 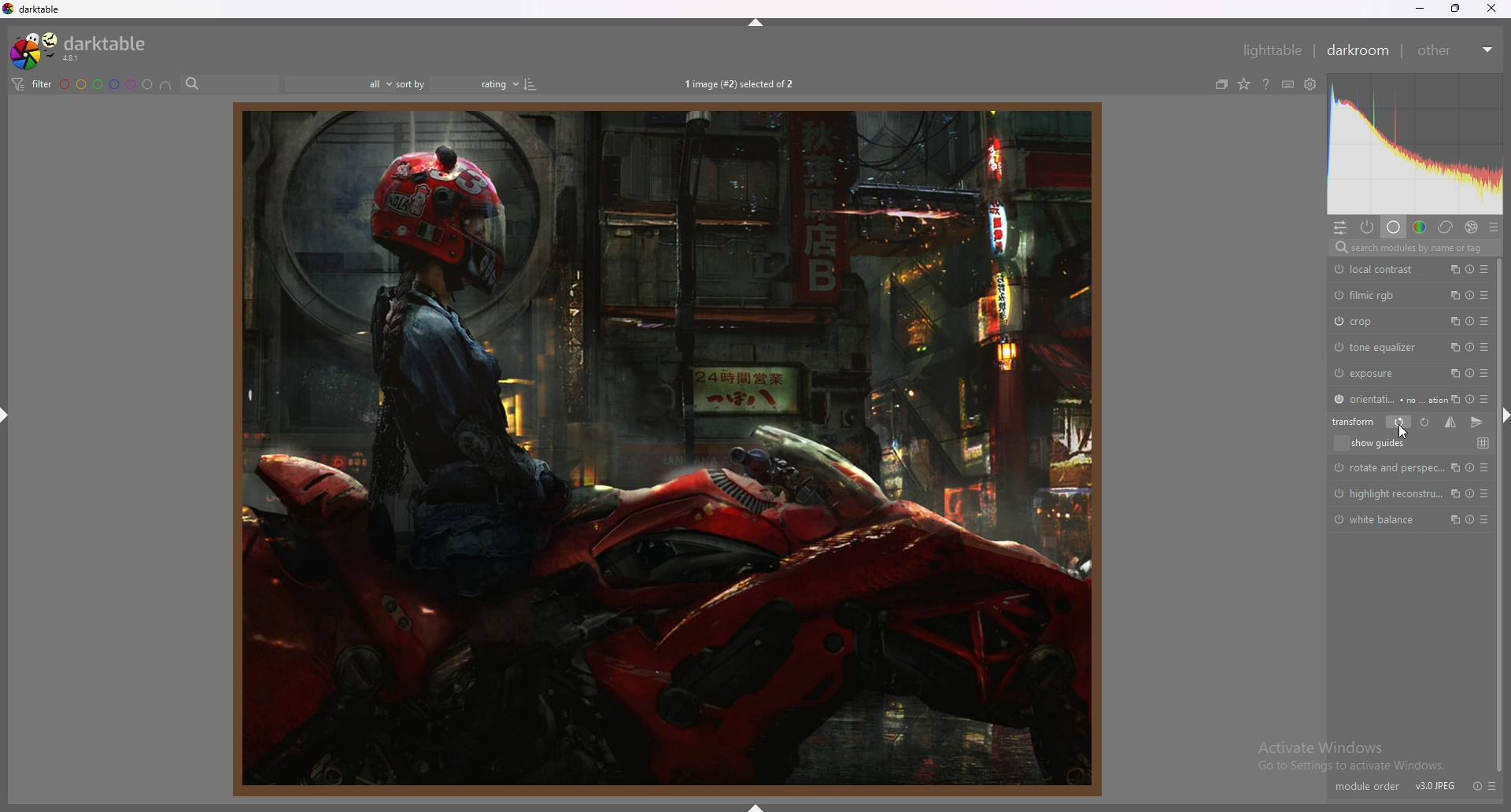 What do you see at coordinates (31, 85) in the screenshot?
I see `filter` at bounding box center [31, 85].